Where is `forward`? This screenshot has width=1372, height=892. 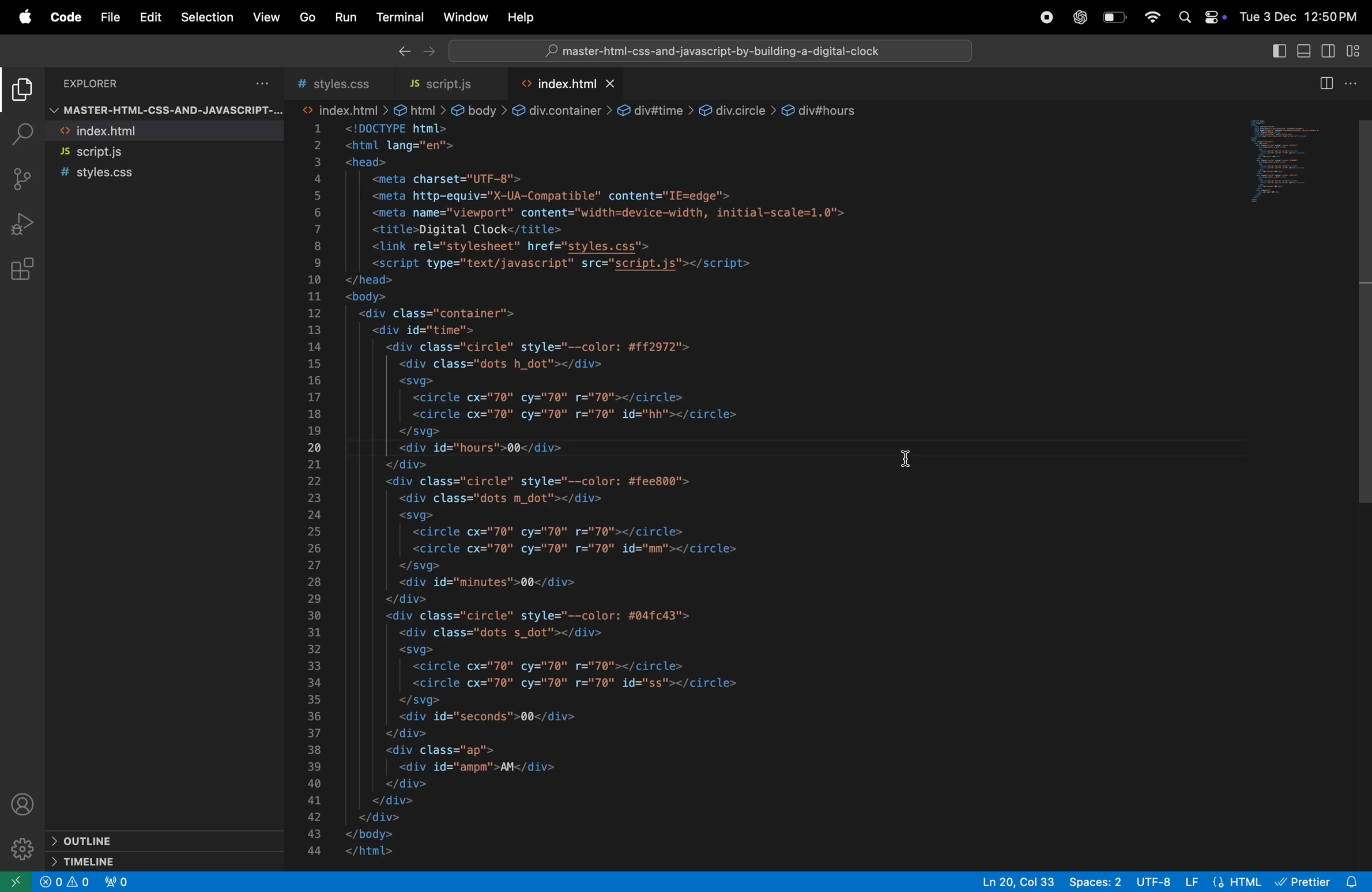
forward is located at coordinates (429, 52).